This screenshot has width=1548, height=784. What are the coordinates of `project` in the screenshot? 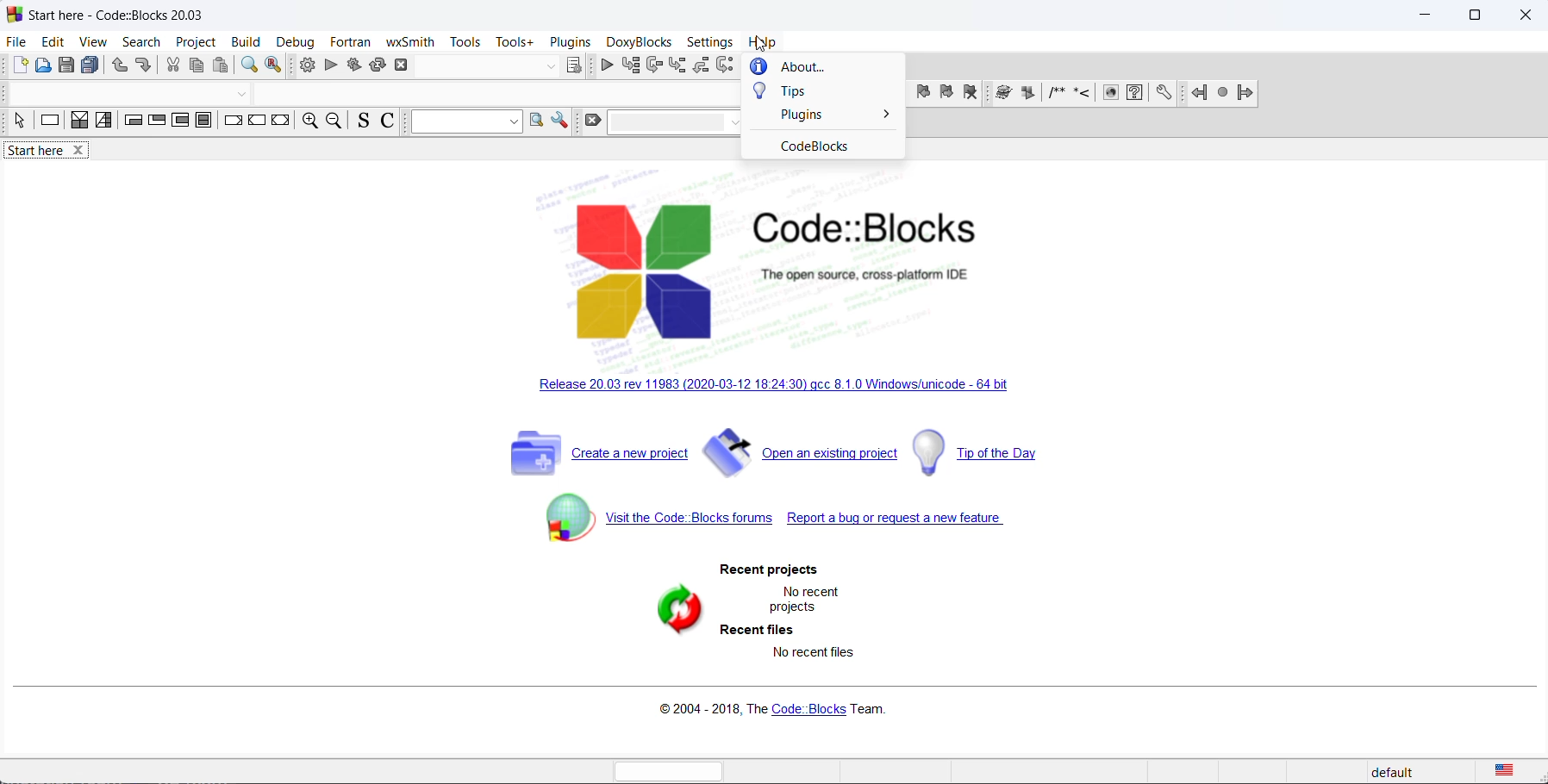 It's located at (195, 42).